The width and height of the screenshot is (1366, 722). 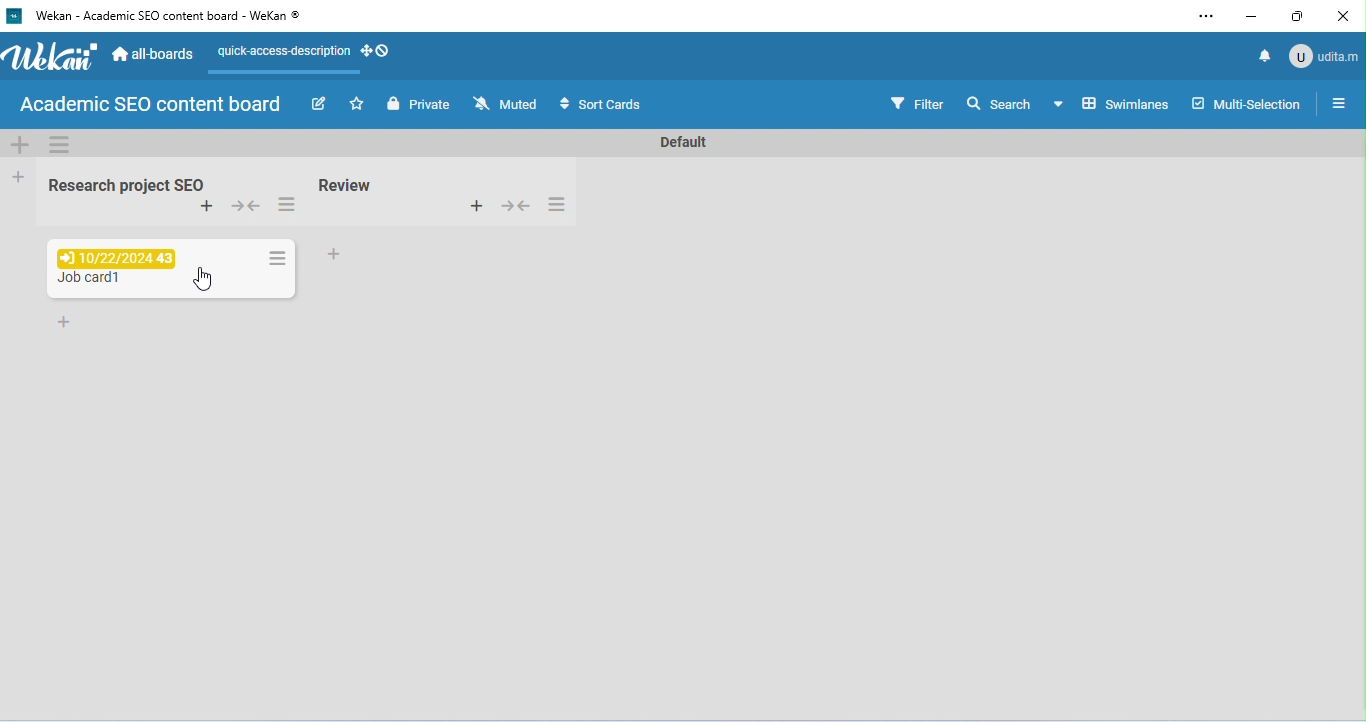 What do you see at coordinates (248, 208) in the screenshot?
I see `collapse` at bounding box center [248, 208].